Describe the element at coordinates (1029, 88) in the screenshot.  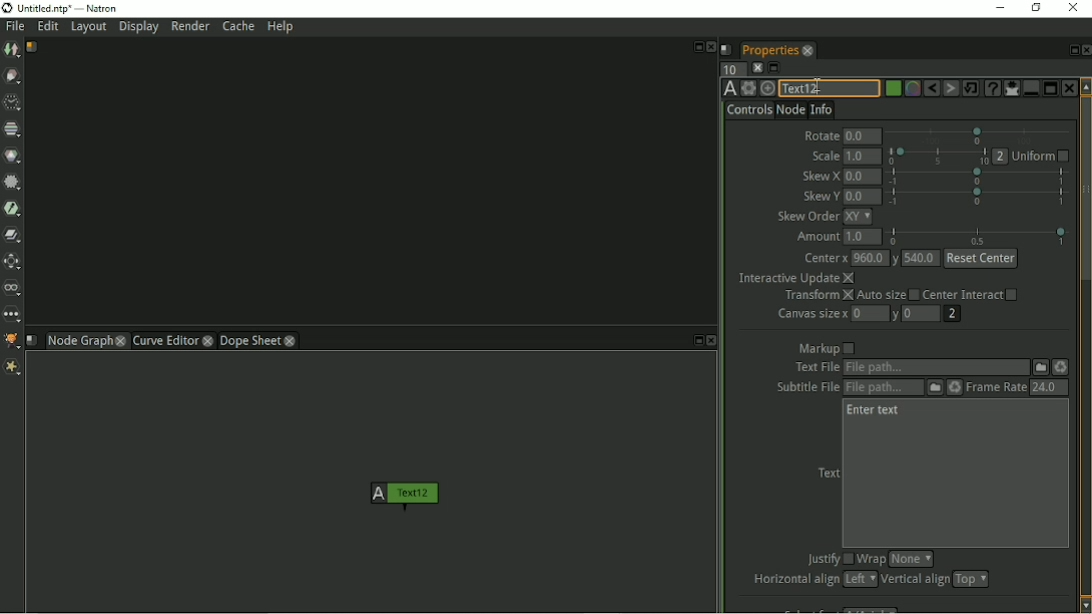
I see `Minimize` at that location.